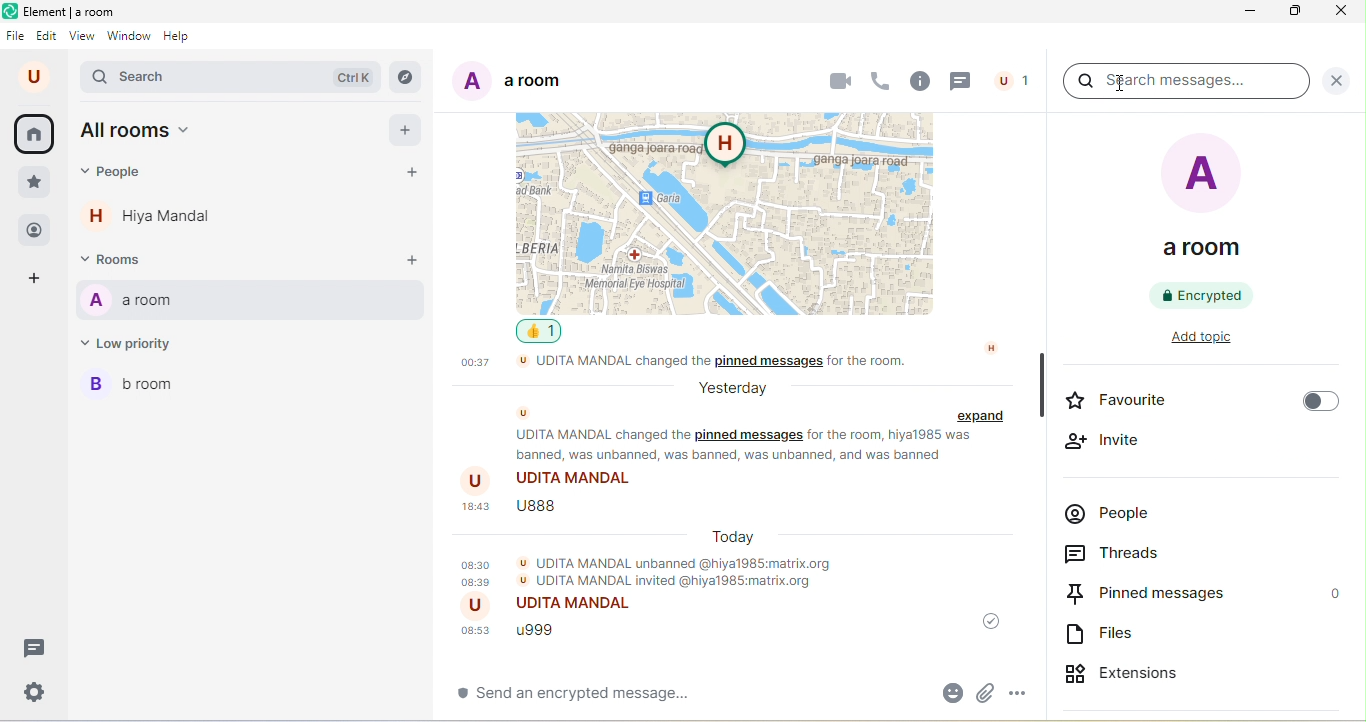  What do you see at coordinates (234, 78) in the screenshot?
I see `search` at bounding box center [234, 78].